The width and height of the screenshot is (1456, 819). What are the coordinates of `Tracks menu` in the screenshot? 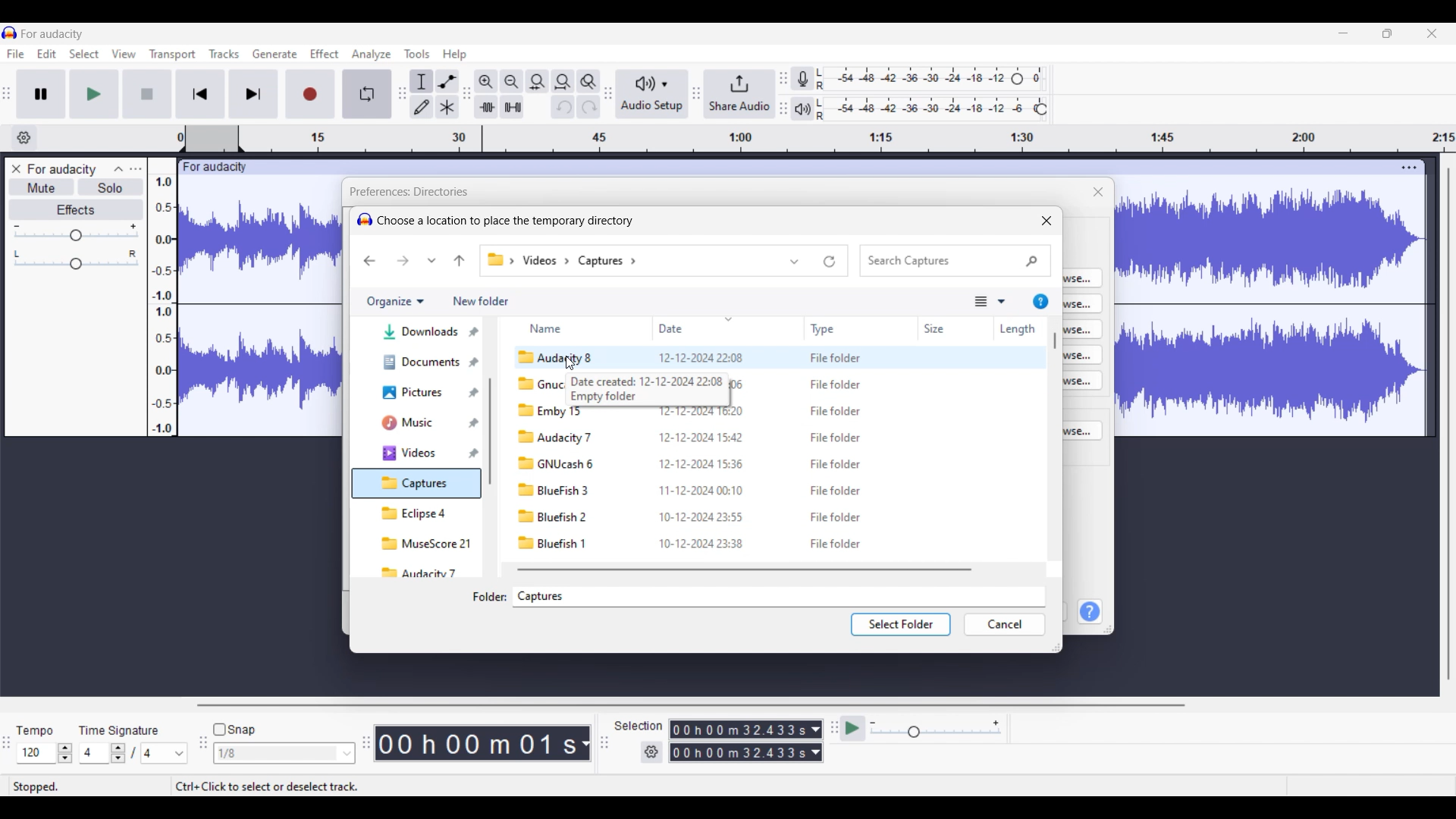 It's located at (224, 54).